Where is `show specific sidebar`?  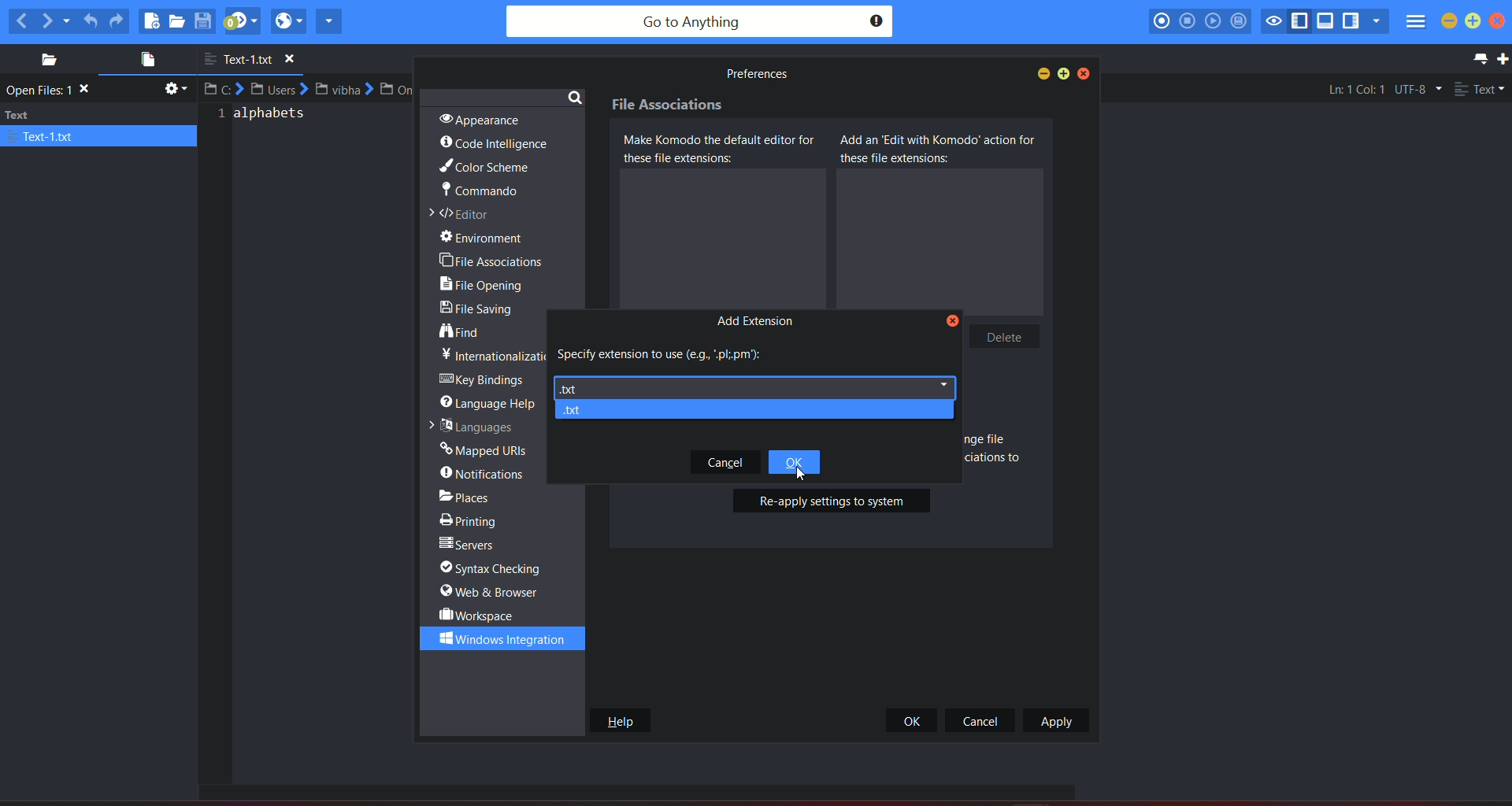
show specific sidebar is located at coordinates (1376, 21).